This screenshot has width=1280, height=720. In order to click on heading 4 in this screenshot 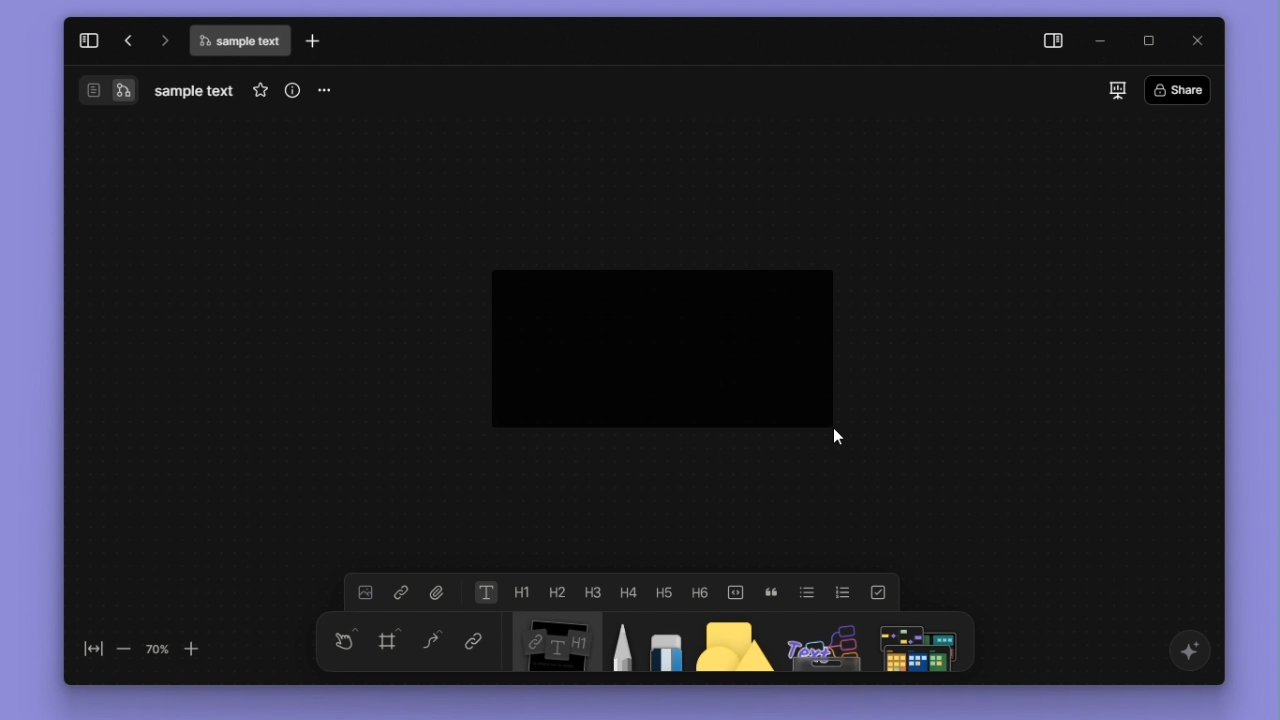, I will do `click(629, 591)`.